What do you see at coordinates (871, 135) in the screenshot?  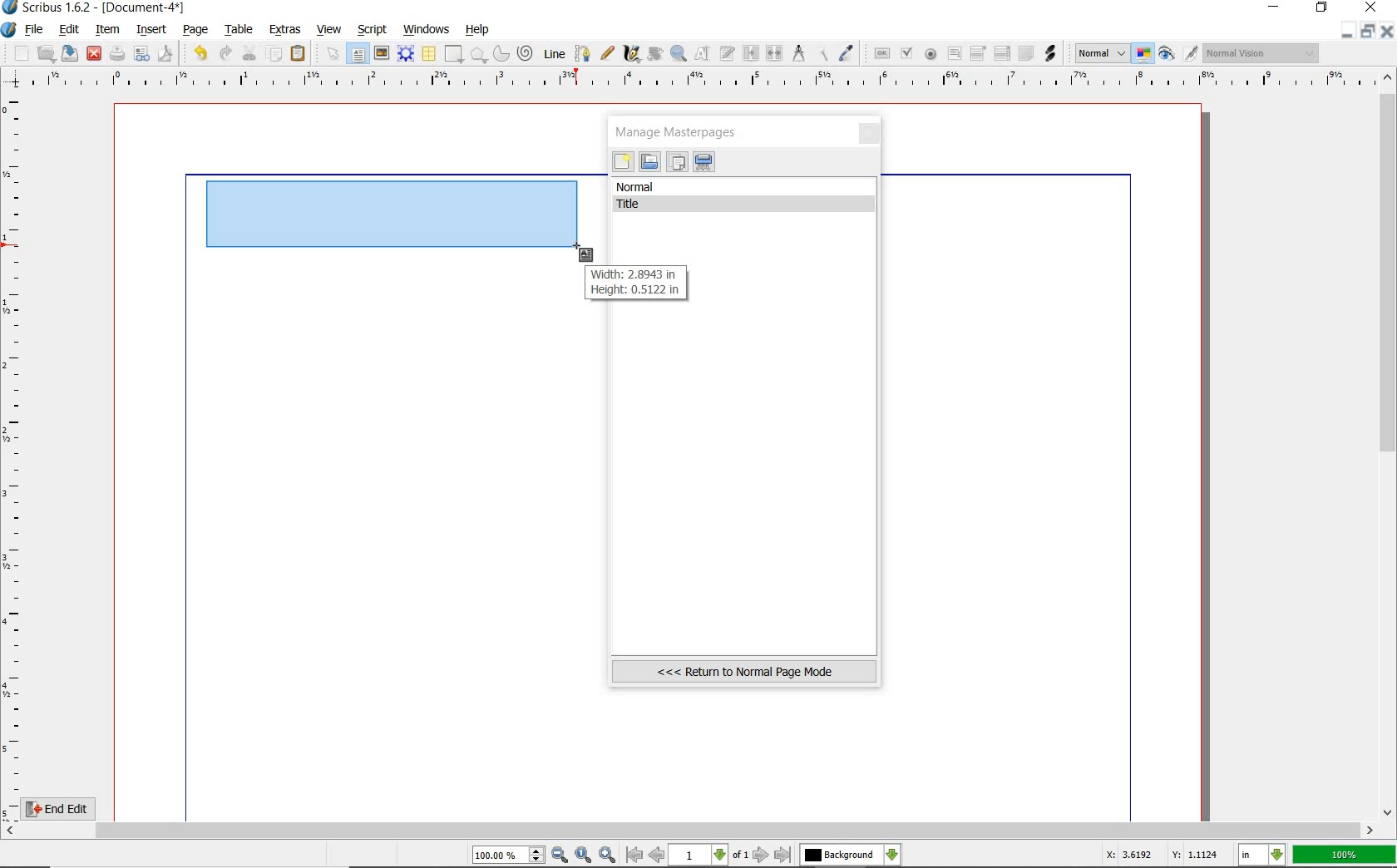 I see `close` at bounding box center [871, 135].